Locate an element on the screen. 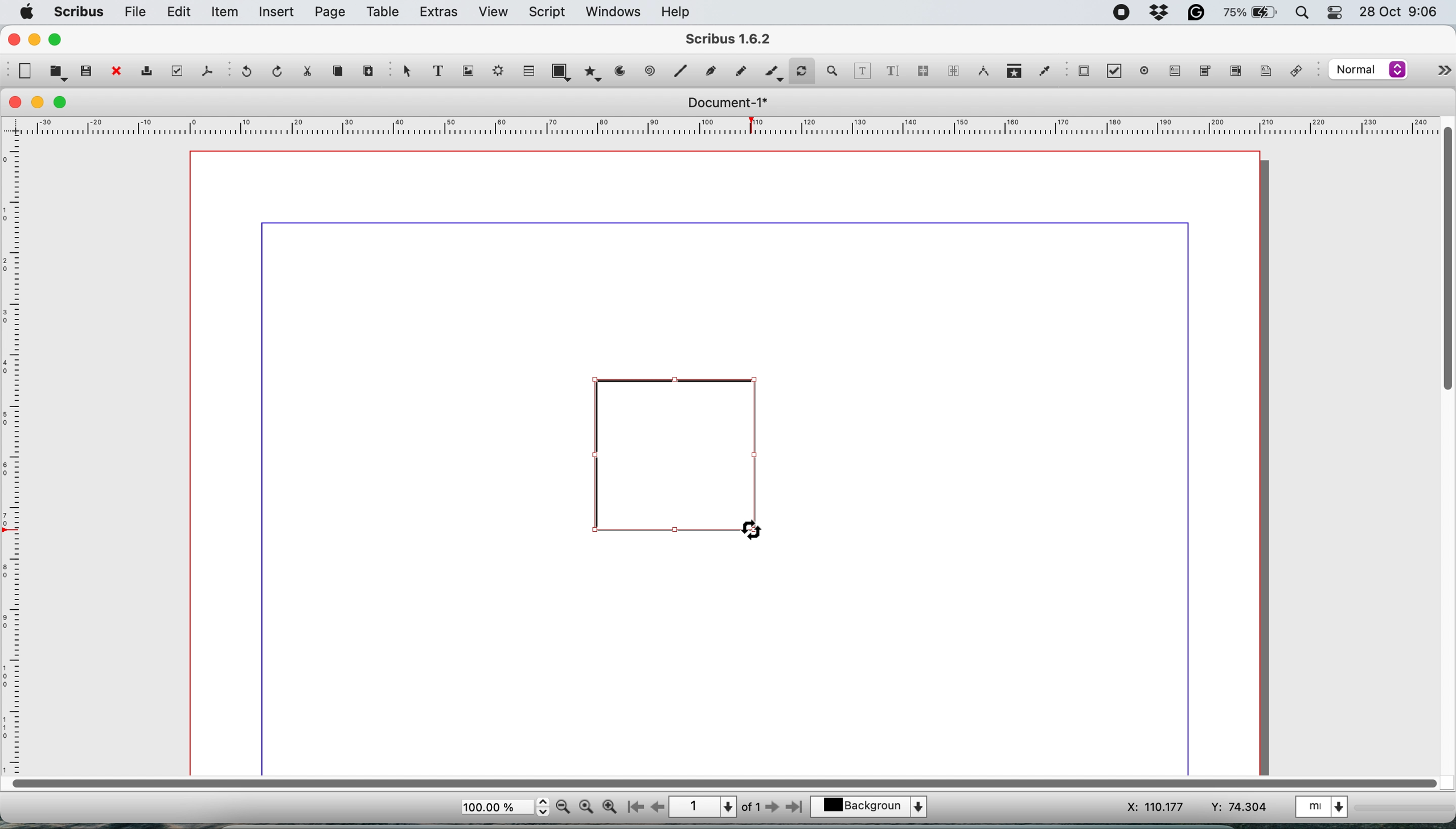 The image size is (1456, 829). file is located at coordinates (136, 12).